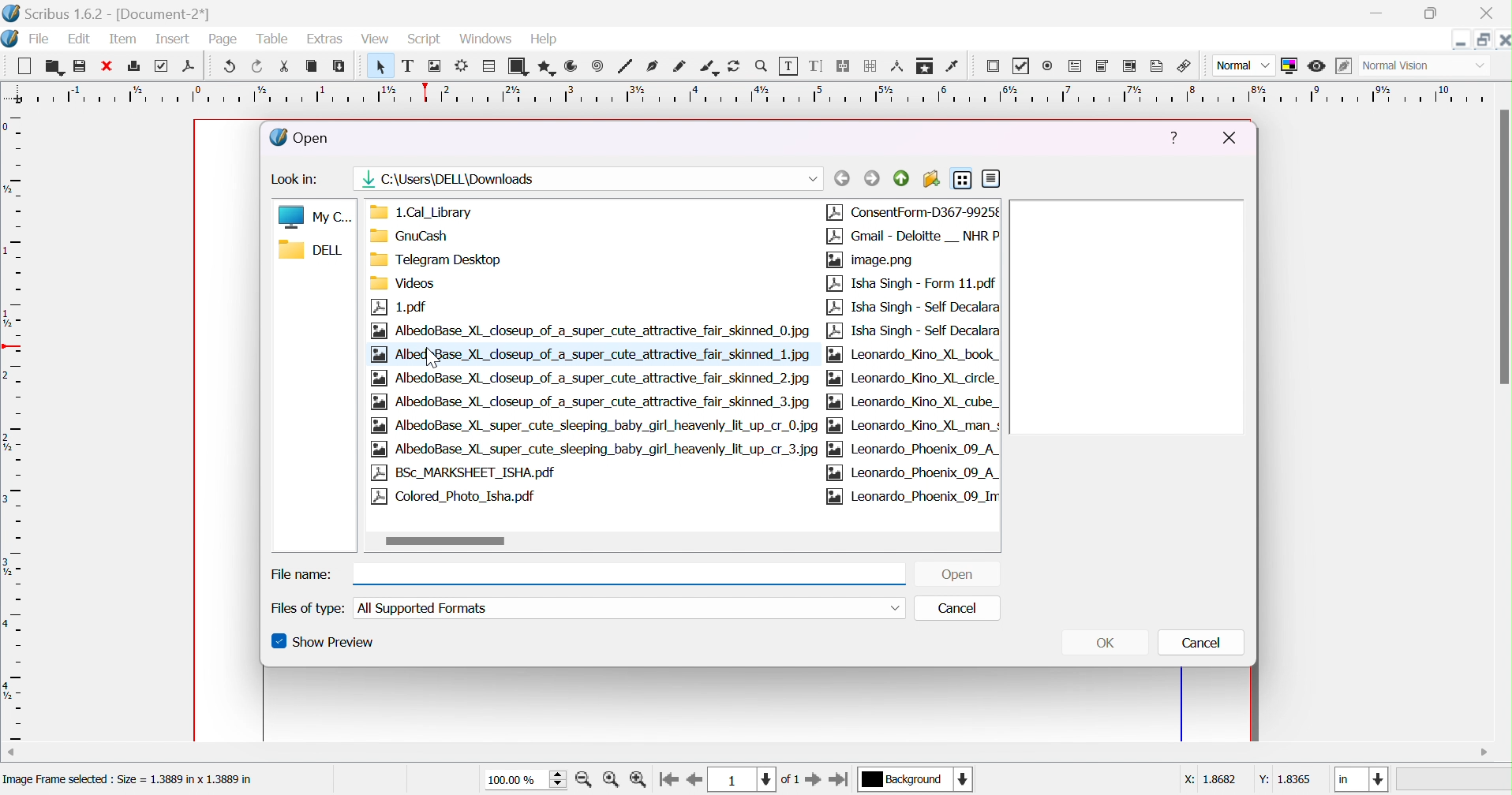 Image resolution: width=1512 pixels, height=795 pixels. What do you see at coordinates (163, 66) in the screenshot?
I see `preflight verifier` at bounding box center [163, 66].